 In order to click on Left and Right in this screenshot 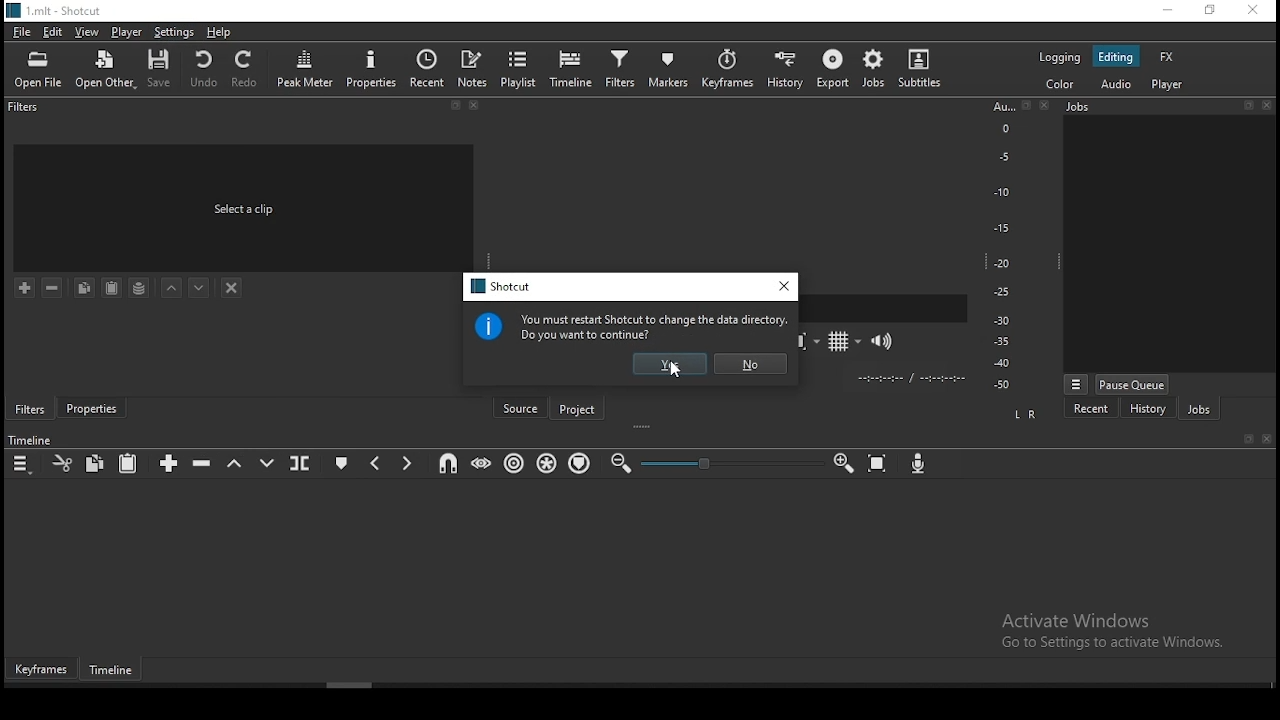, I will do `click(1028, 414)`.